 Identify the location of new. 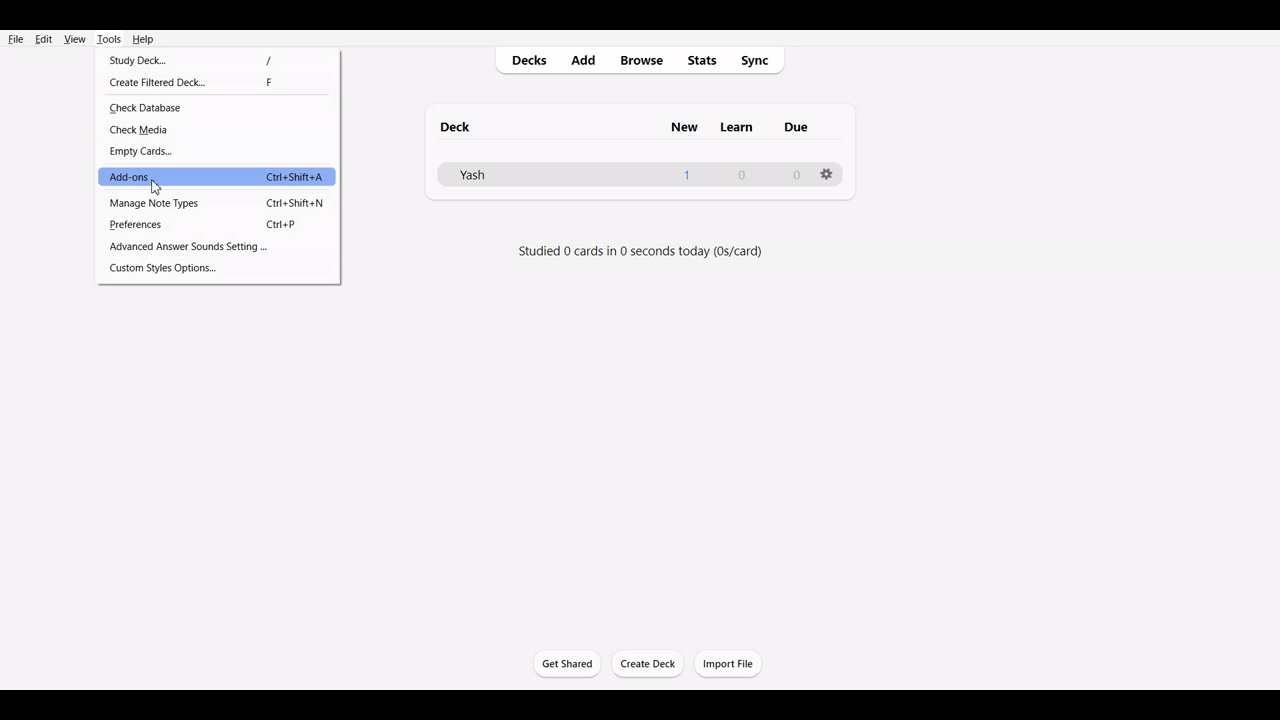
(677, 119).